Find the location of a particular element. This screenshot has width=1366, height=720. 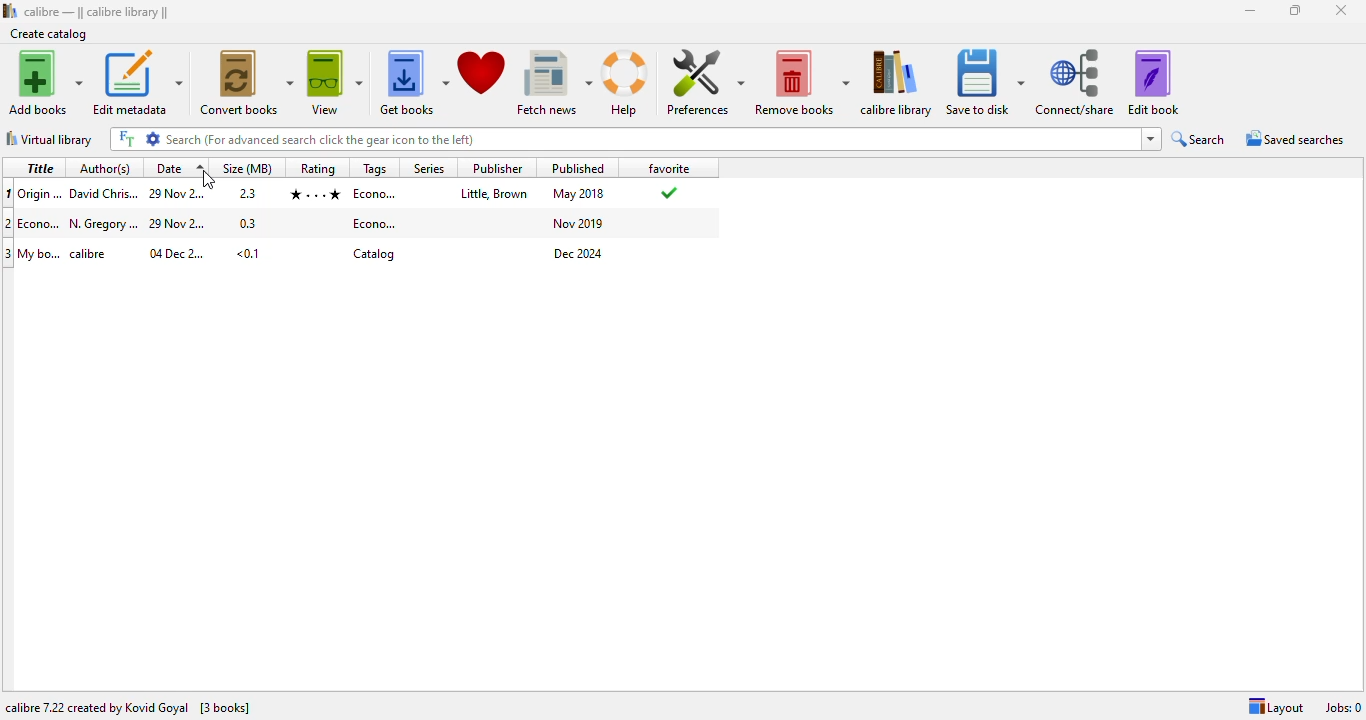

close is located at coordinates (1340, 10).